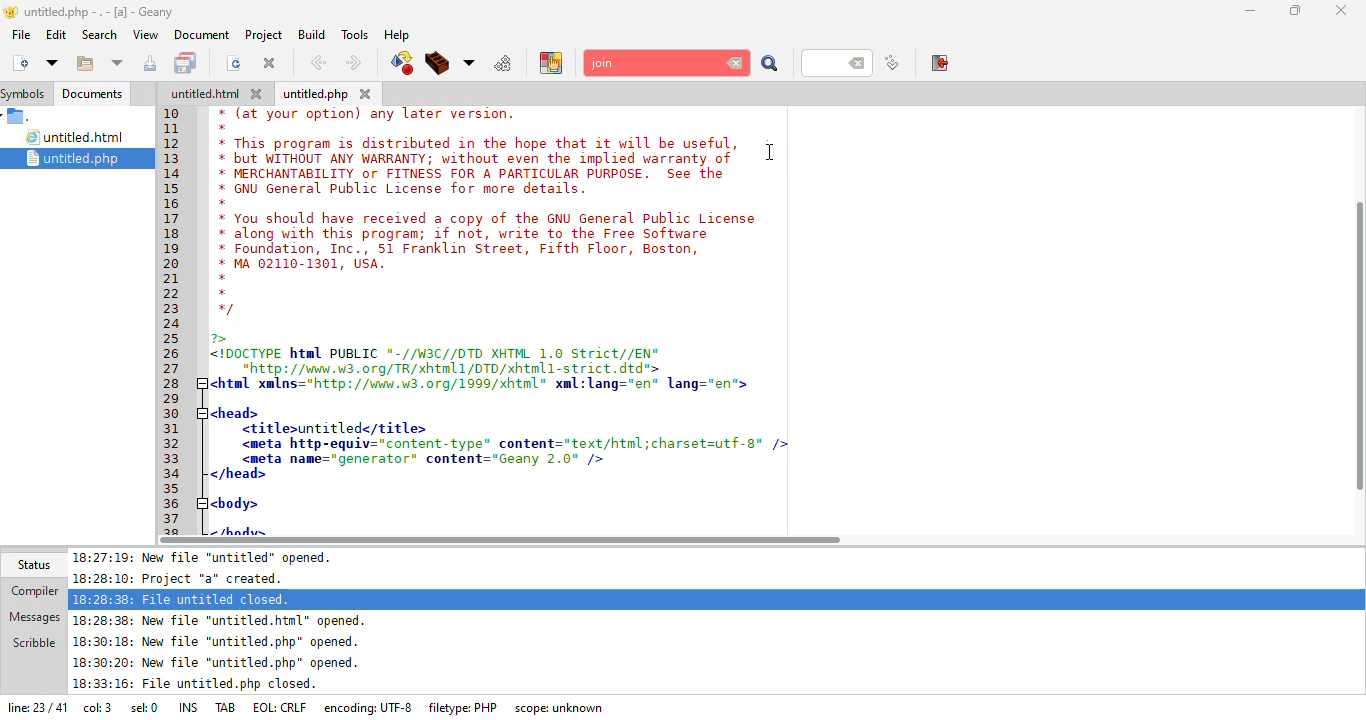 The height and width of the screenshot is (720, 1366). Describe the element at coordinates (97, 710) in the screenshot. I see `col: 3` at that location.